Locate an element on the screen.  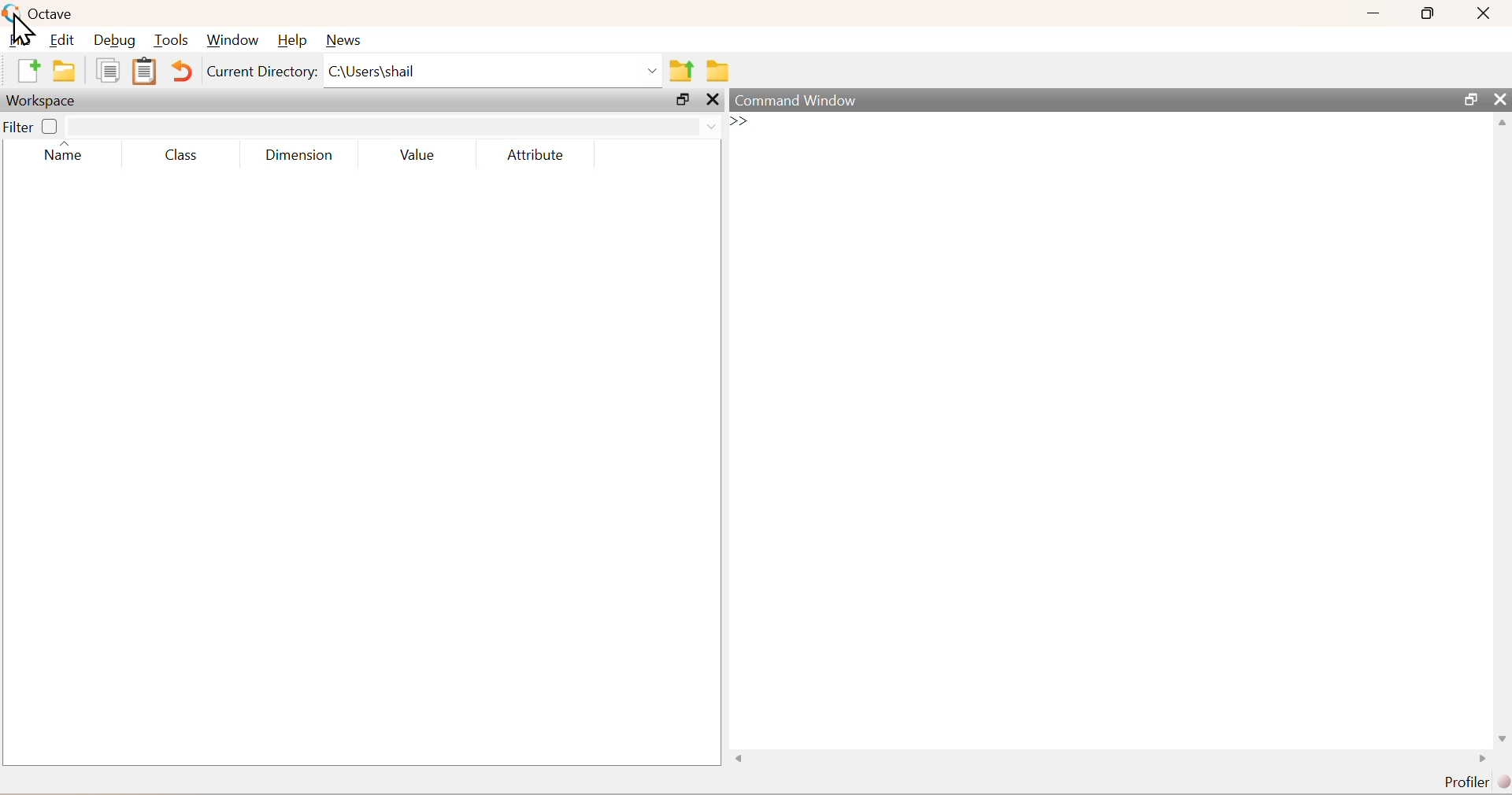
close is located at coordinates (1502, 99).